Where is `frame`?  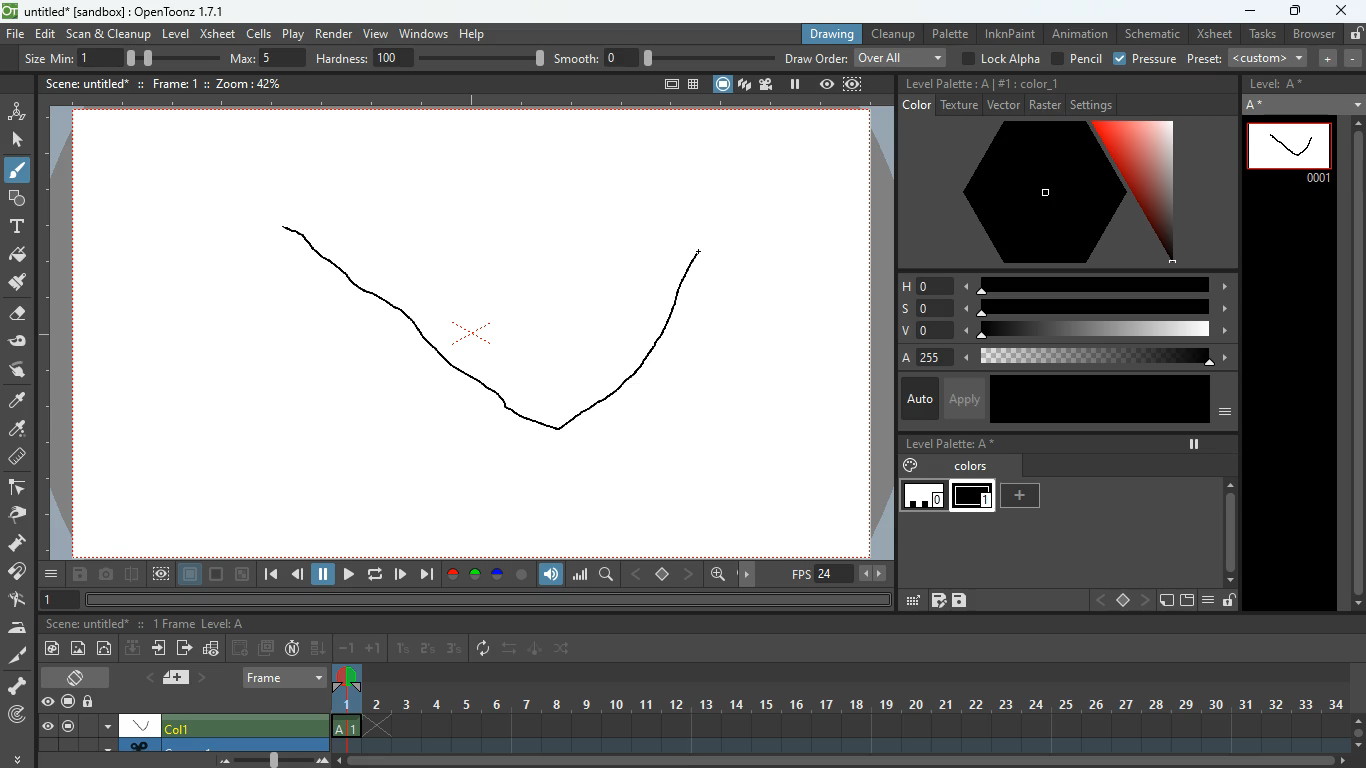 frame is located at coordinates (161, 575).